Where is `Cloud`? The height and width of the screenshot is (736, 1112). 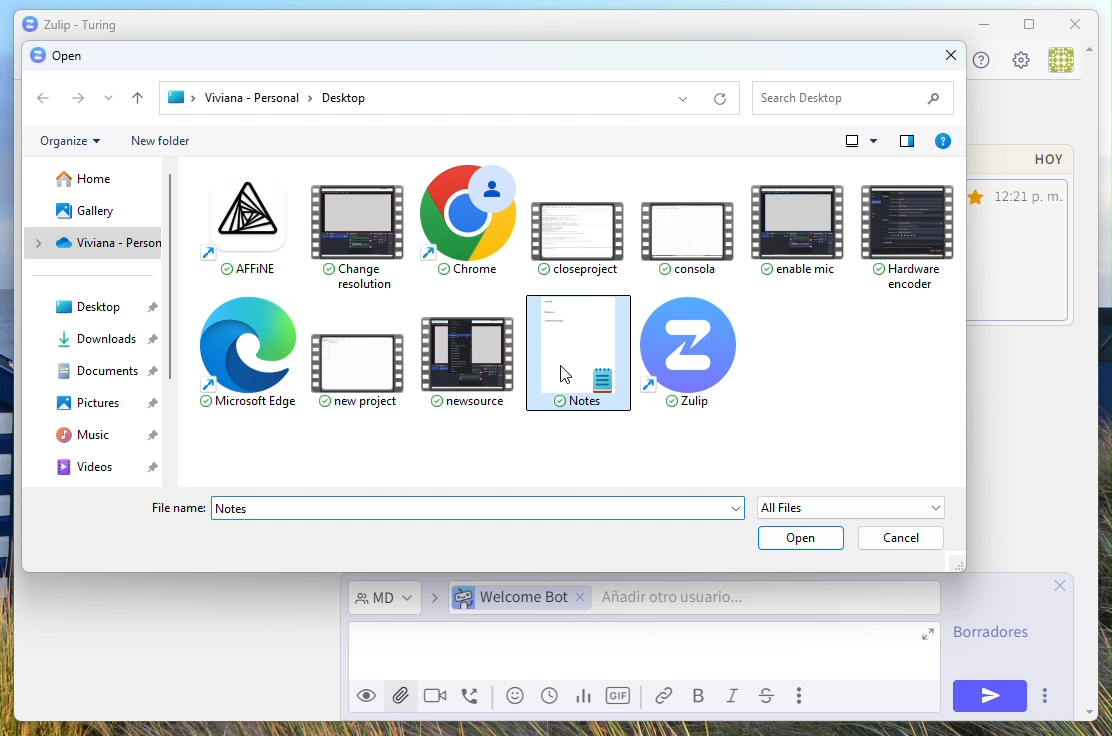
Cloud is located at coordinates (101, 242).